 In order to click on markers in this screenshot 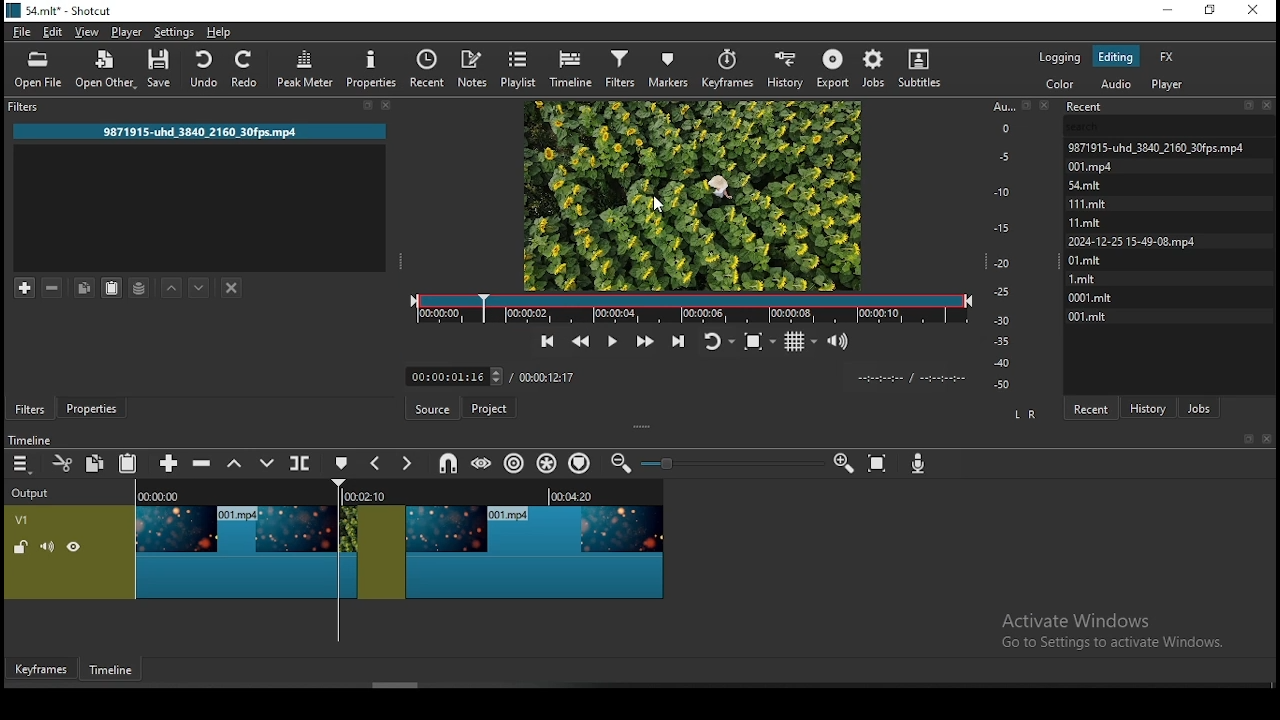, I will do `click(667, 68)`.